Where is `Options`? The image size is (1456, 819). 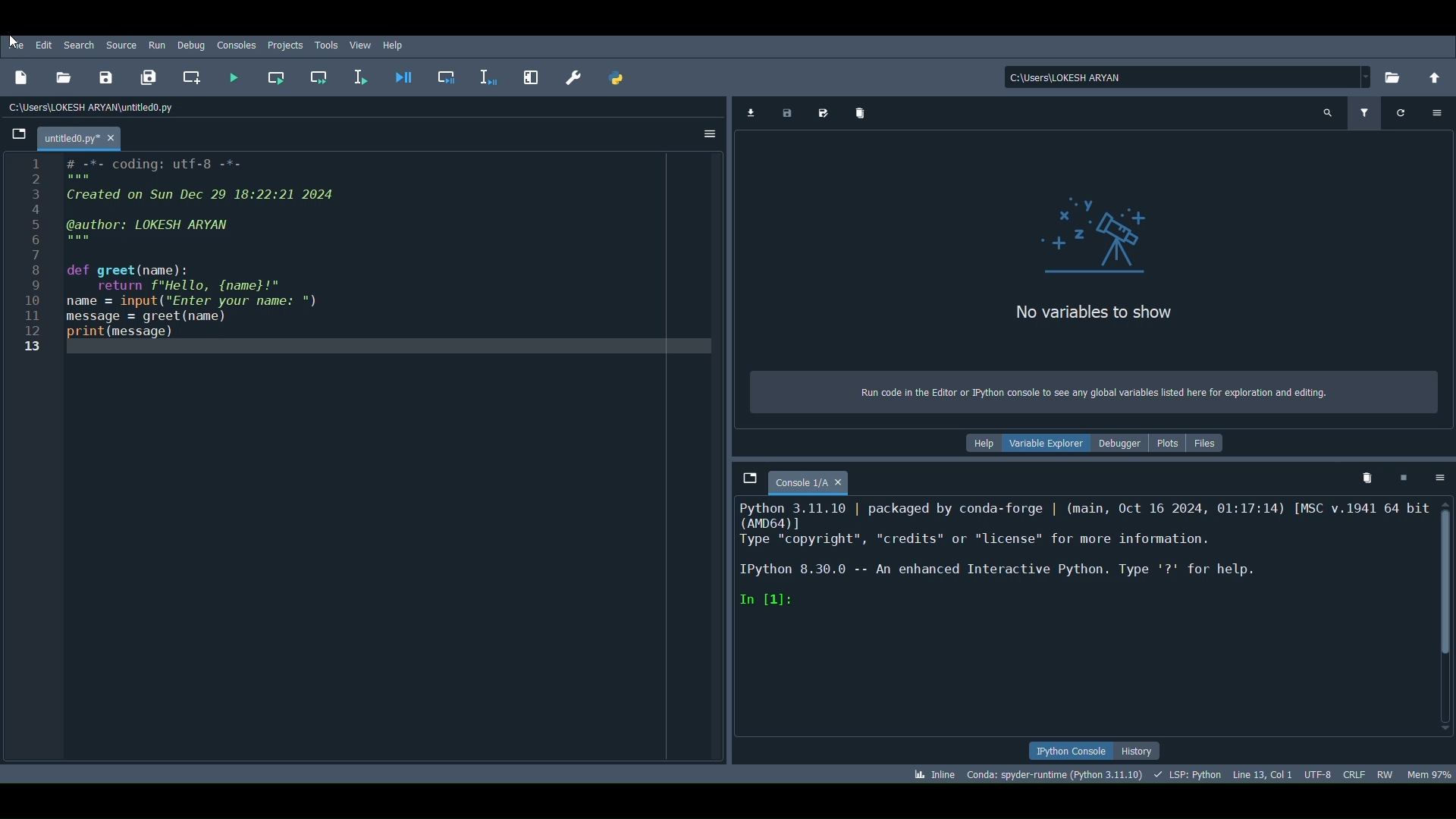
Options is located at coordinates (1439, 479).